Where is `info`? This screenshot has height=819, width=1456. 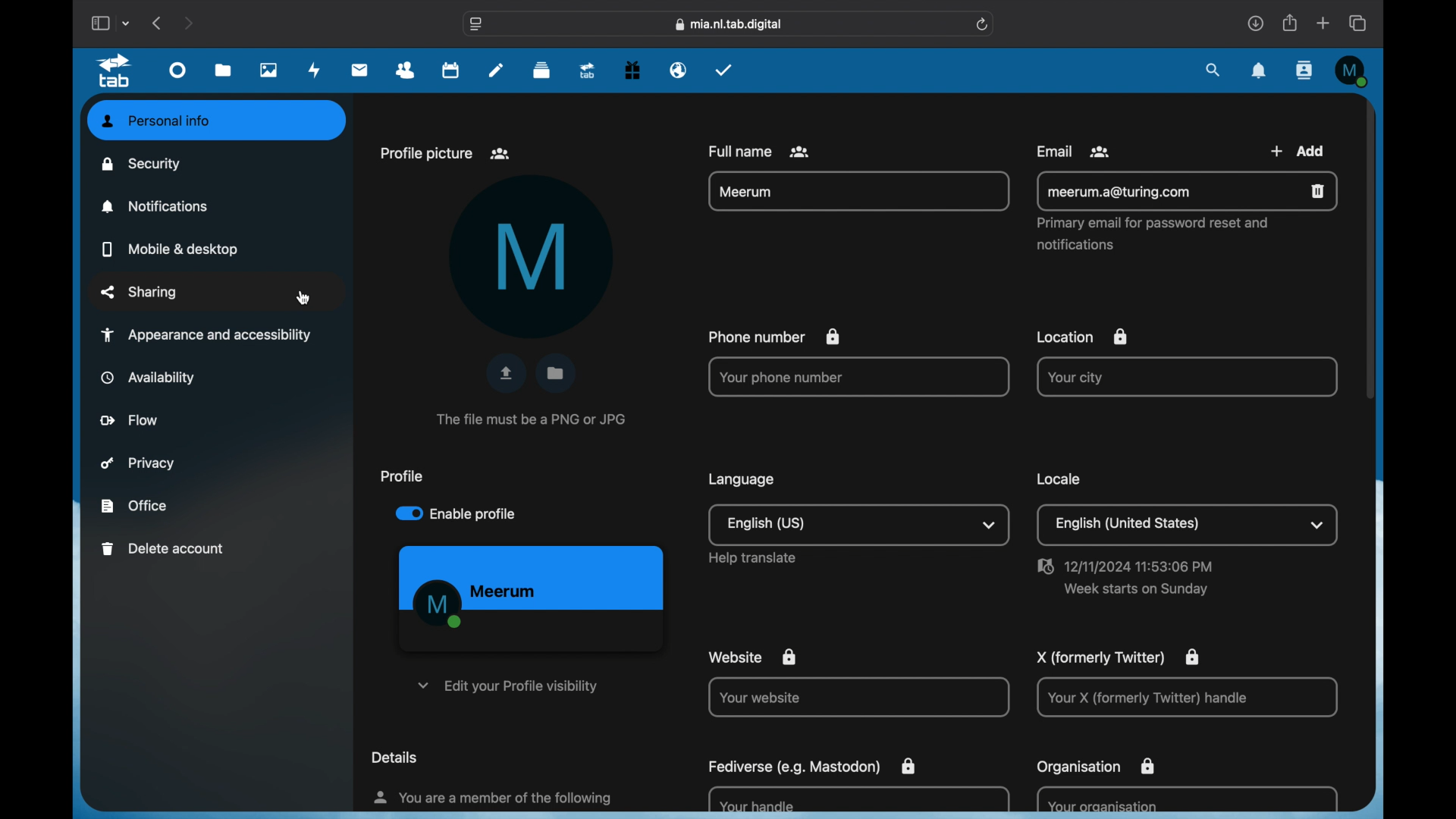 info is located at coordinates (491, 798).